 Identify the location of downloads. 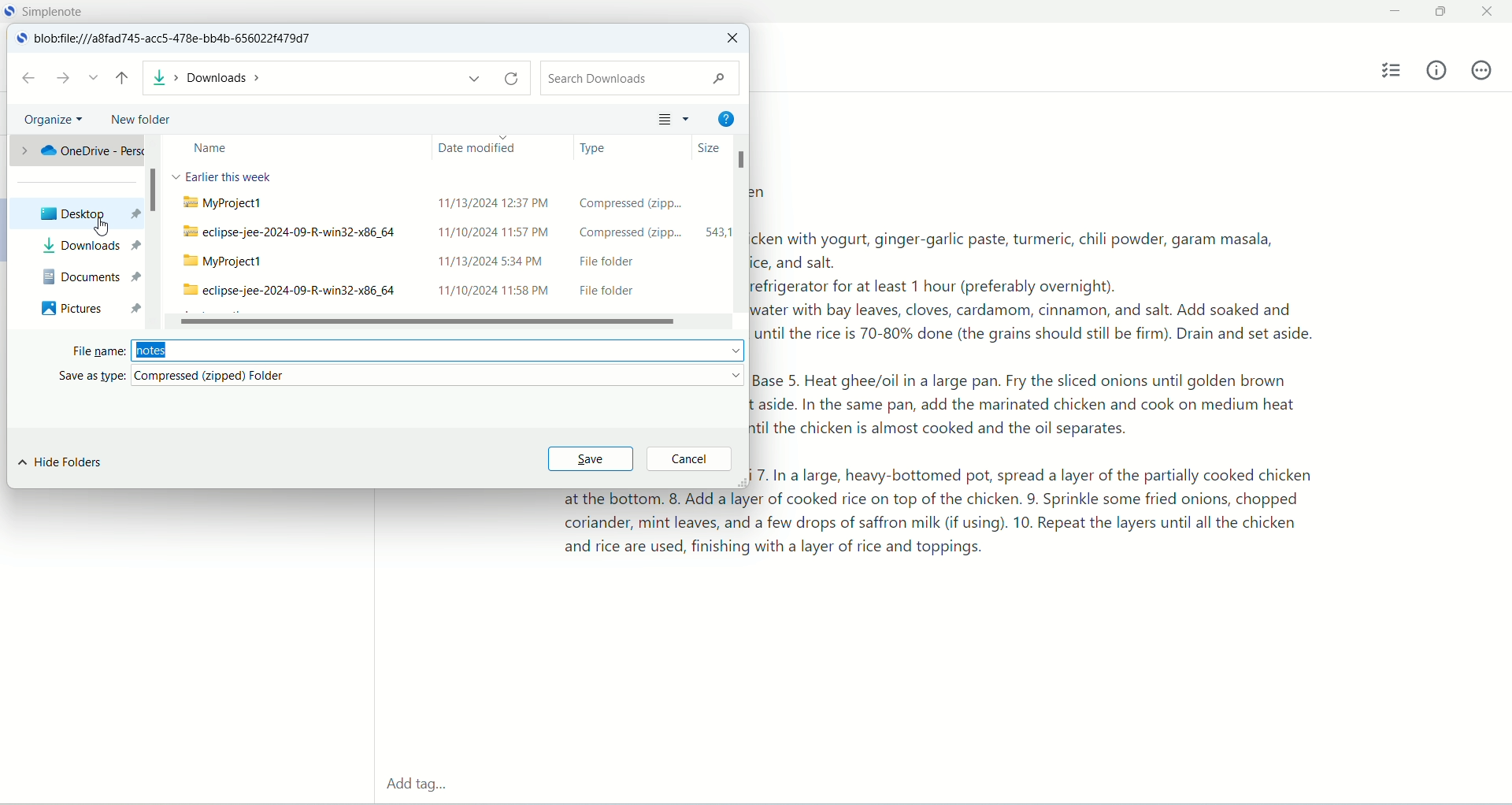
(336, 80).